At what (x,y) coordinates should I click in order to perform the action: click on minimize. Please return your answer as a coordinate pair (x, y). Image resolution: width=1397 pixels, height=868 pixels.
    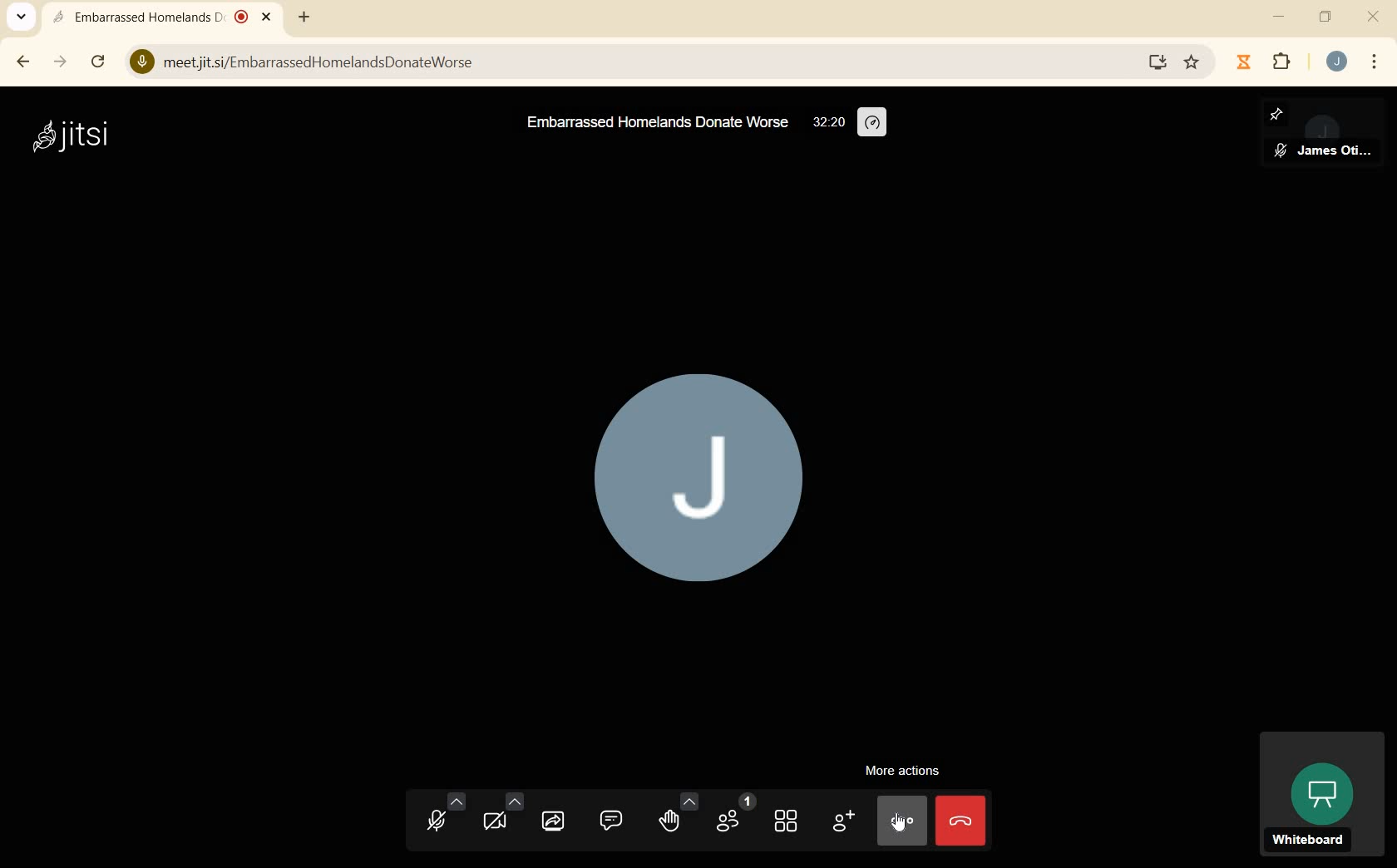
    Looking at the image, I should click on (1281, 18).